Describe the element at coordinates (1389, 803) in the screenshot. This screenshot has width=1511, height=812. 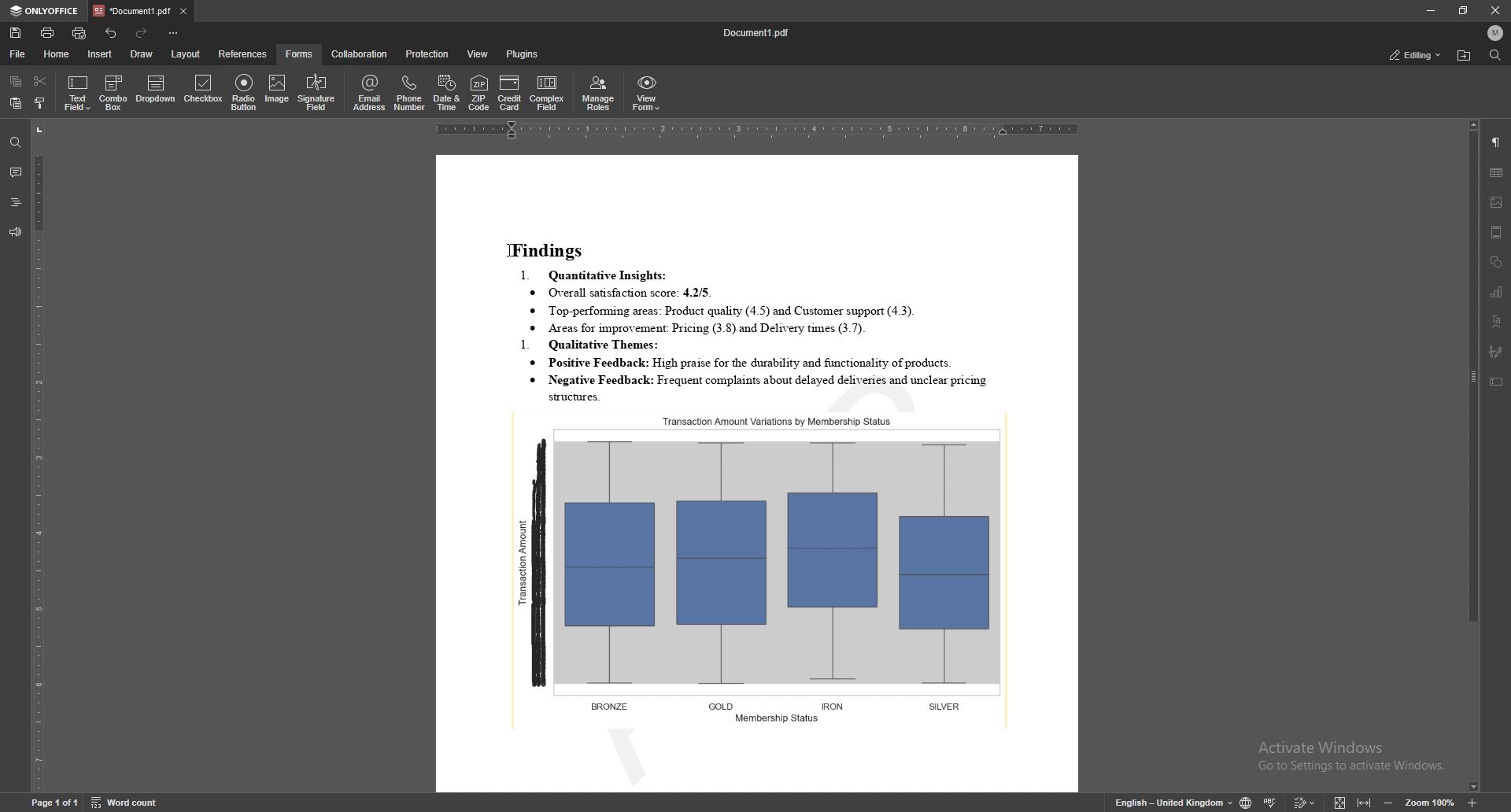
I see `zoom out` at that location.